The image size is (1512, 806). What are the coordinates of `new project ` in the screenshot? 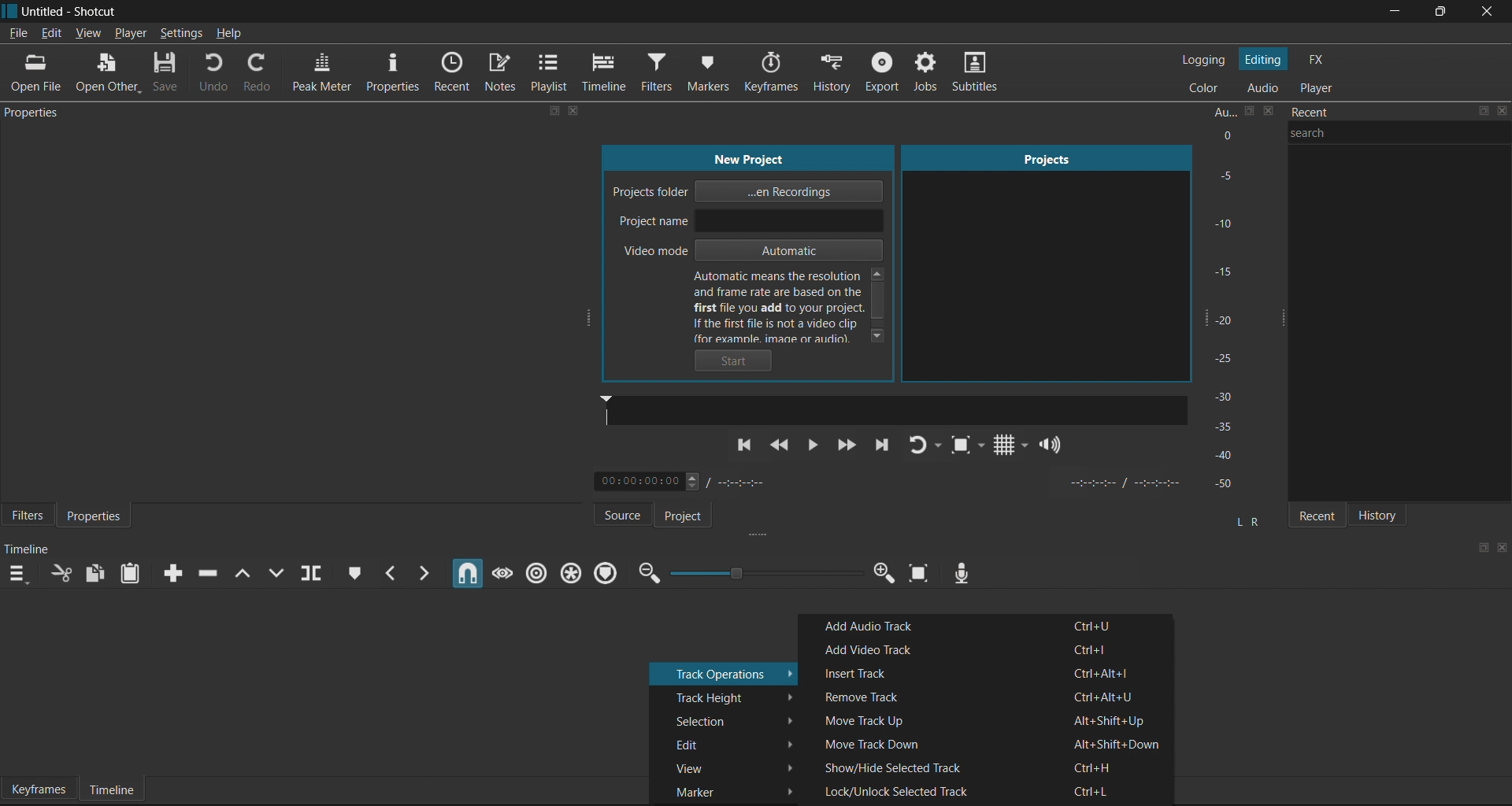 It's located at (751, 157).